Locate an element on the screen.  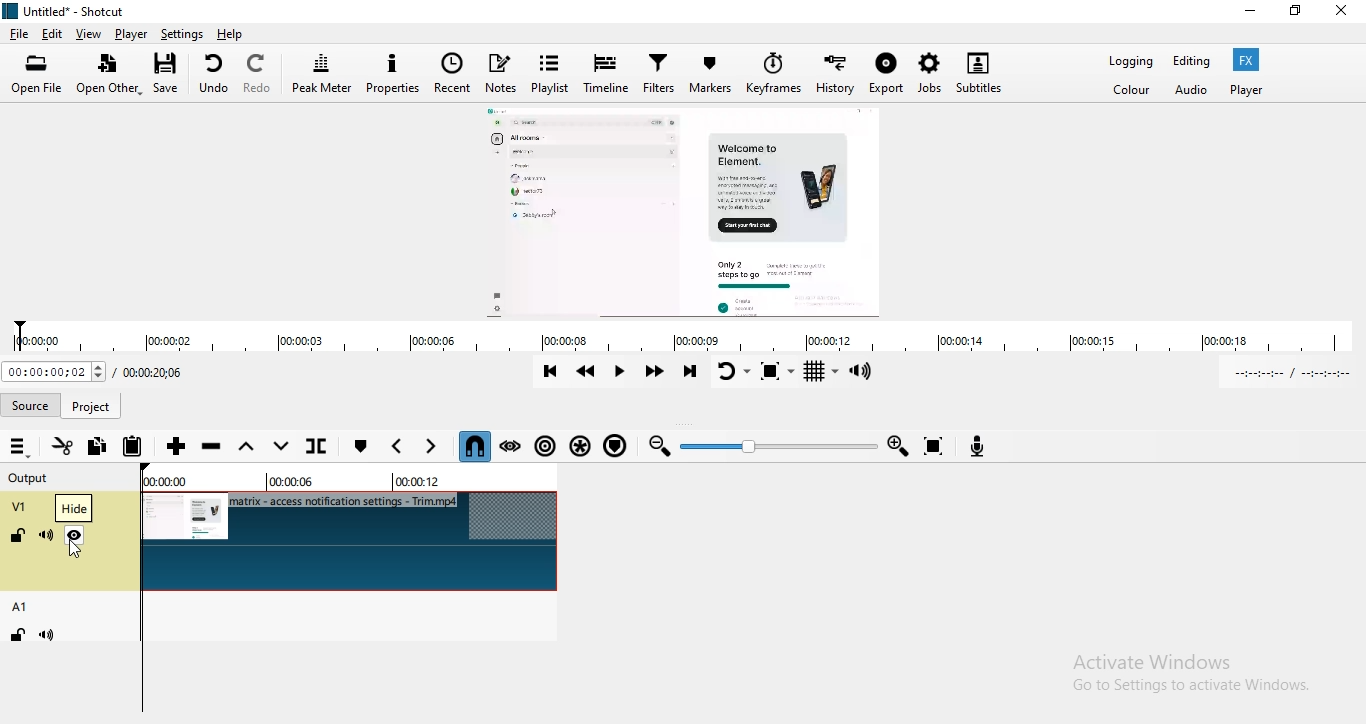
Keyframes is located at coordinates (772, 74).